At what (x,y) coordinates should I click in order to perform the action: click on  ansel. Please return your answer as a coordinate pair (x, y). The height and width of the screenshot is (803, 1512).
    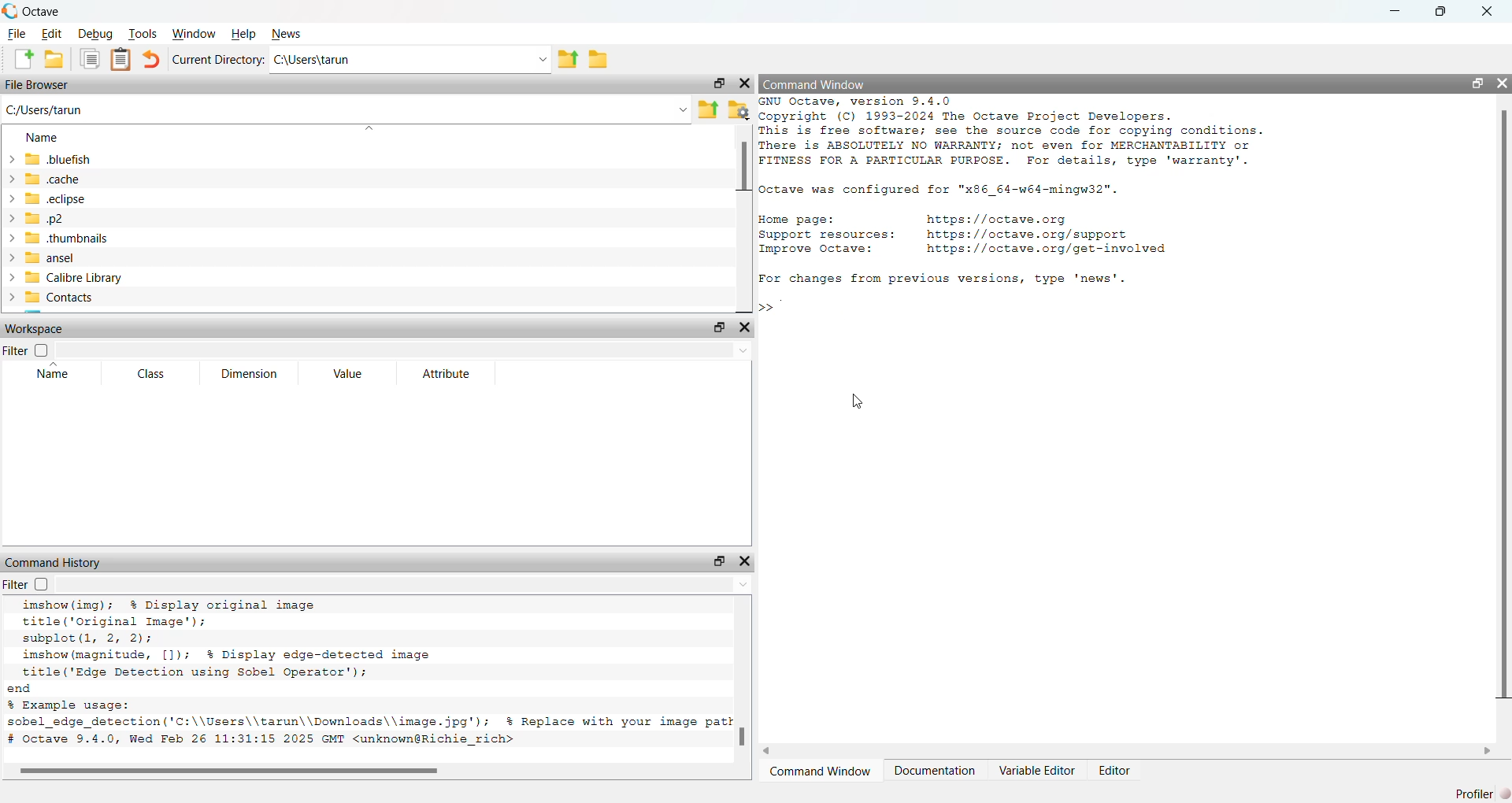
    Looking at the image, I should click on (46, 257).